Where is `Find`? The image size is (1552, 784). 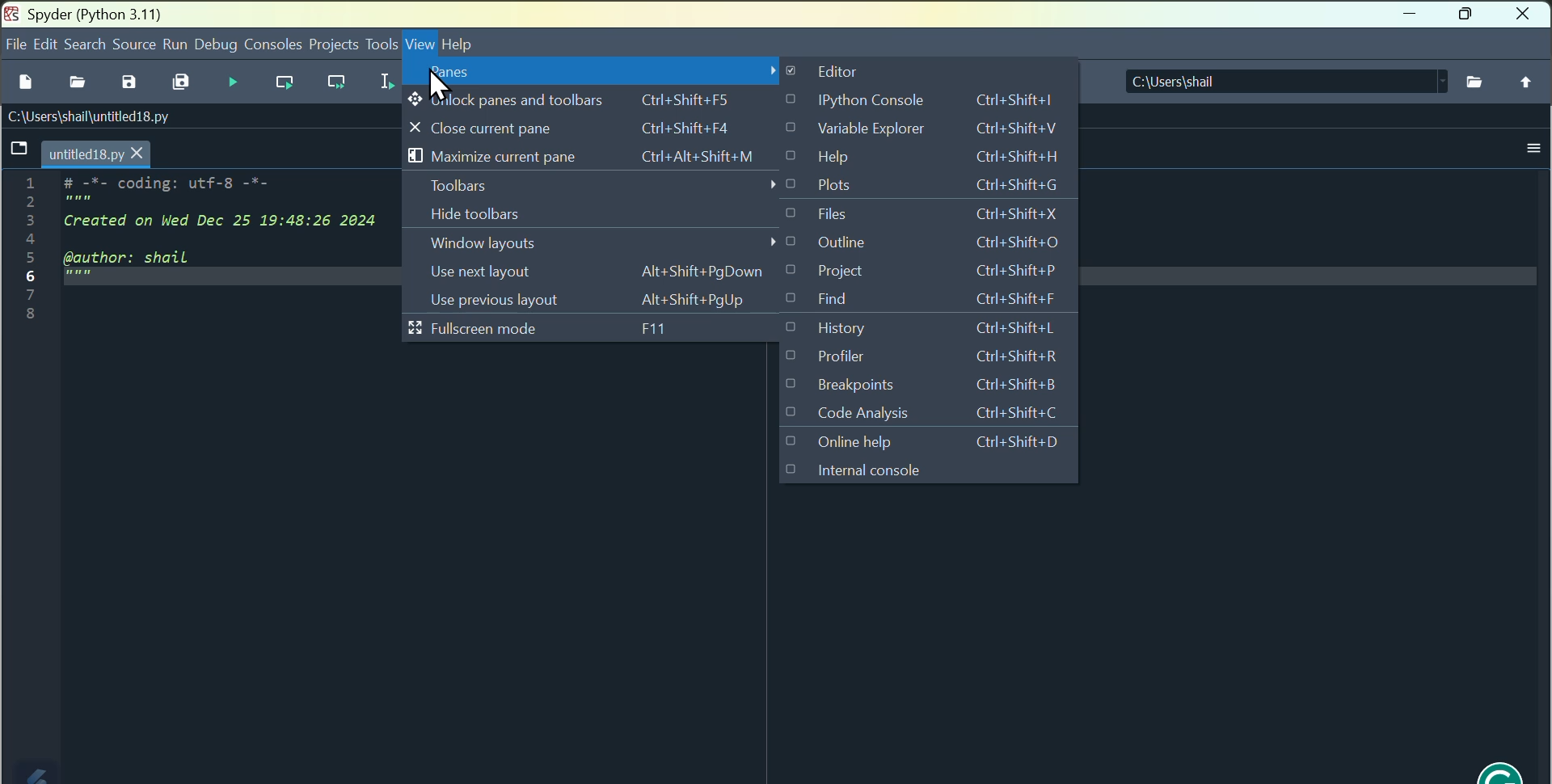
Find is located at coordinates (946, 301).